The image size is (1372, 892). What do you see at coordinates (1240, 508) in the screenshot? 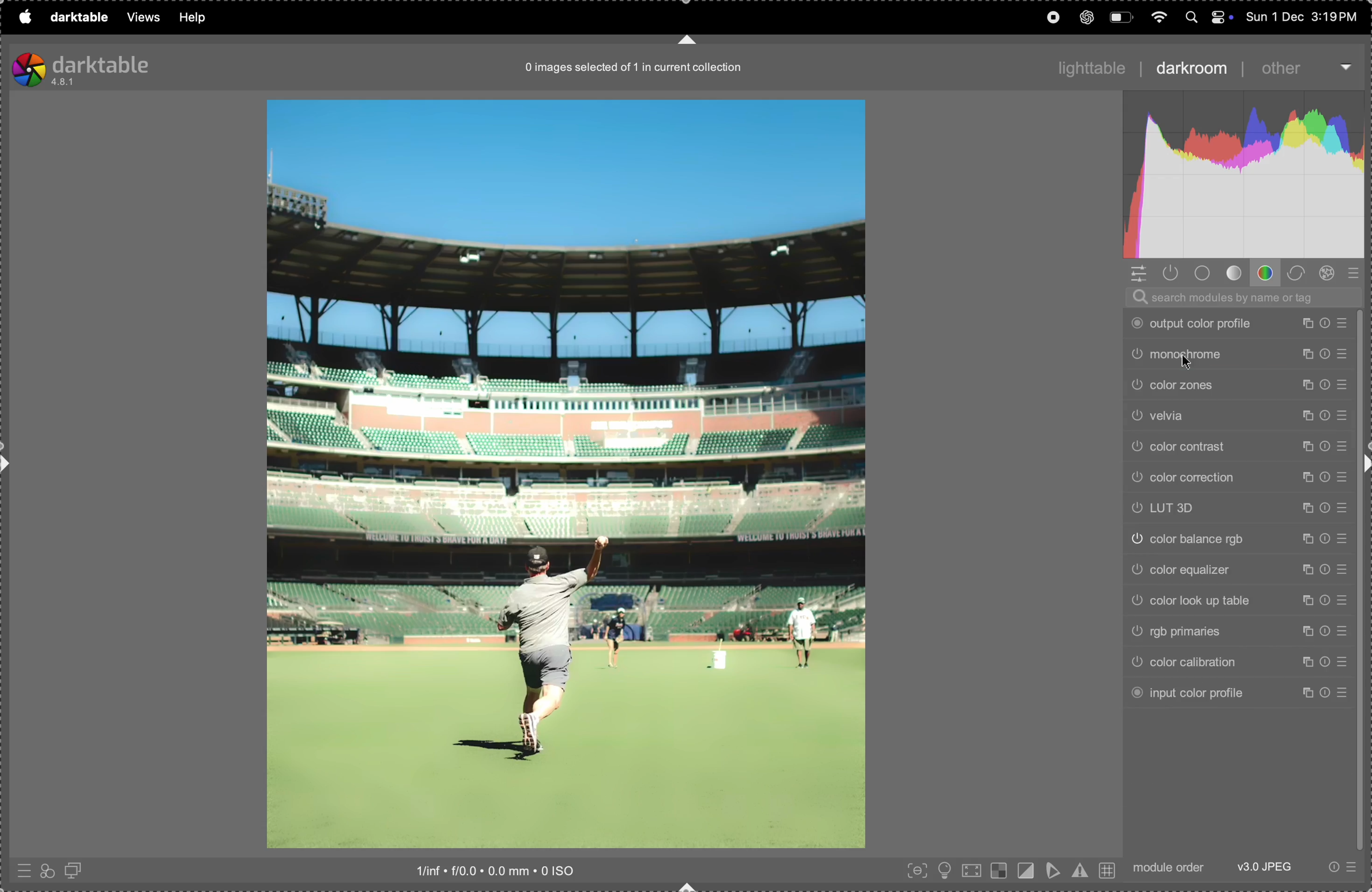
I see `Lut 3D` at bounding box center [1240, 508].